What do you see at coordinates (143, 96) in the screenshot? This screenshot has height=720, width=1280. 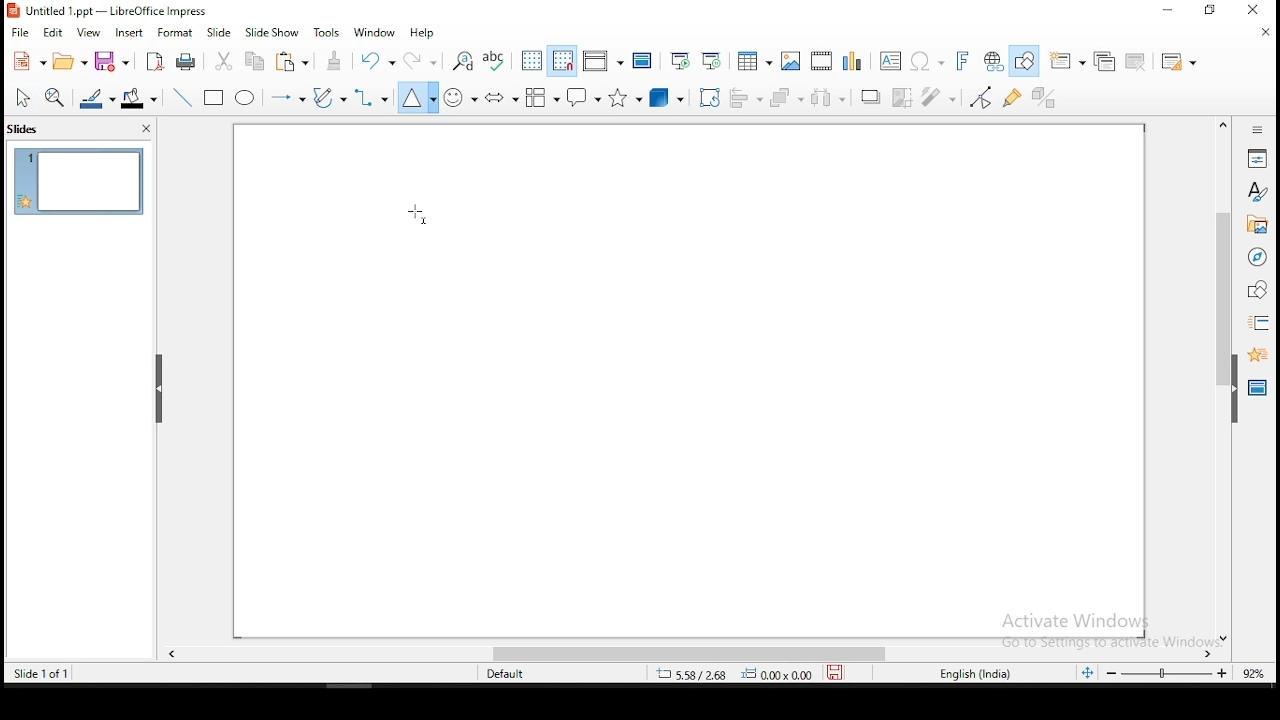 I see `fill color` at bounding box center [143, 96].